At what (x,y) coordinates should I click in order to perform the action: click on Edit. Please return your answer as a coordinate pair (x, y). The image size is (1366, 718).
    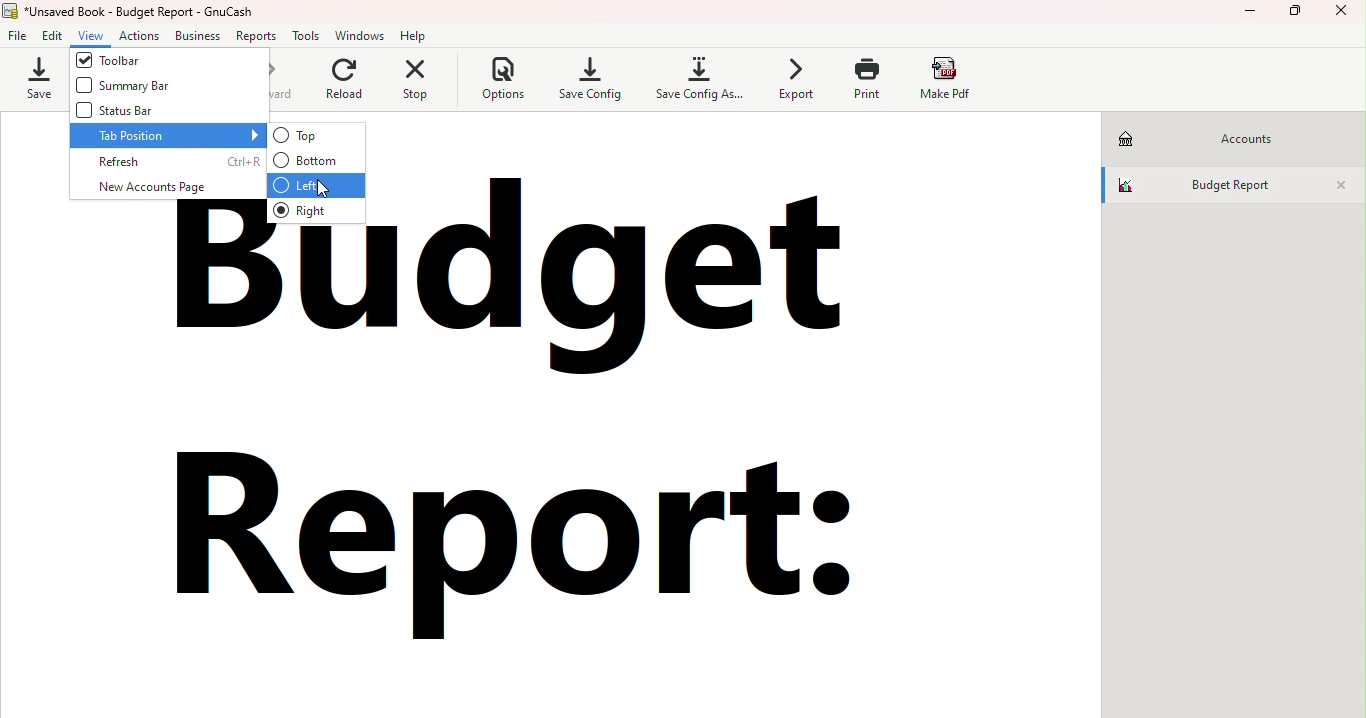
    Looking at the image, I should click on (55, 36).